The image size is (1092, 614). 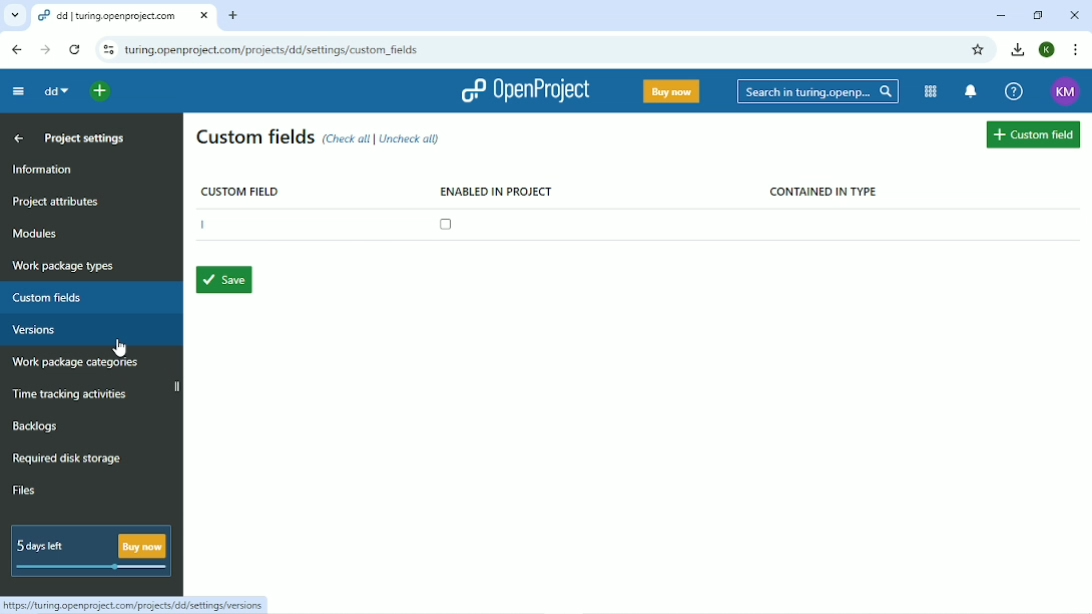 I want to click on Work package types, so click(x=64, y=267).